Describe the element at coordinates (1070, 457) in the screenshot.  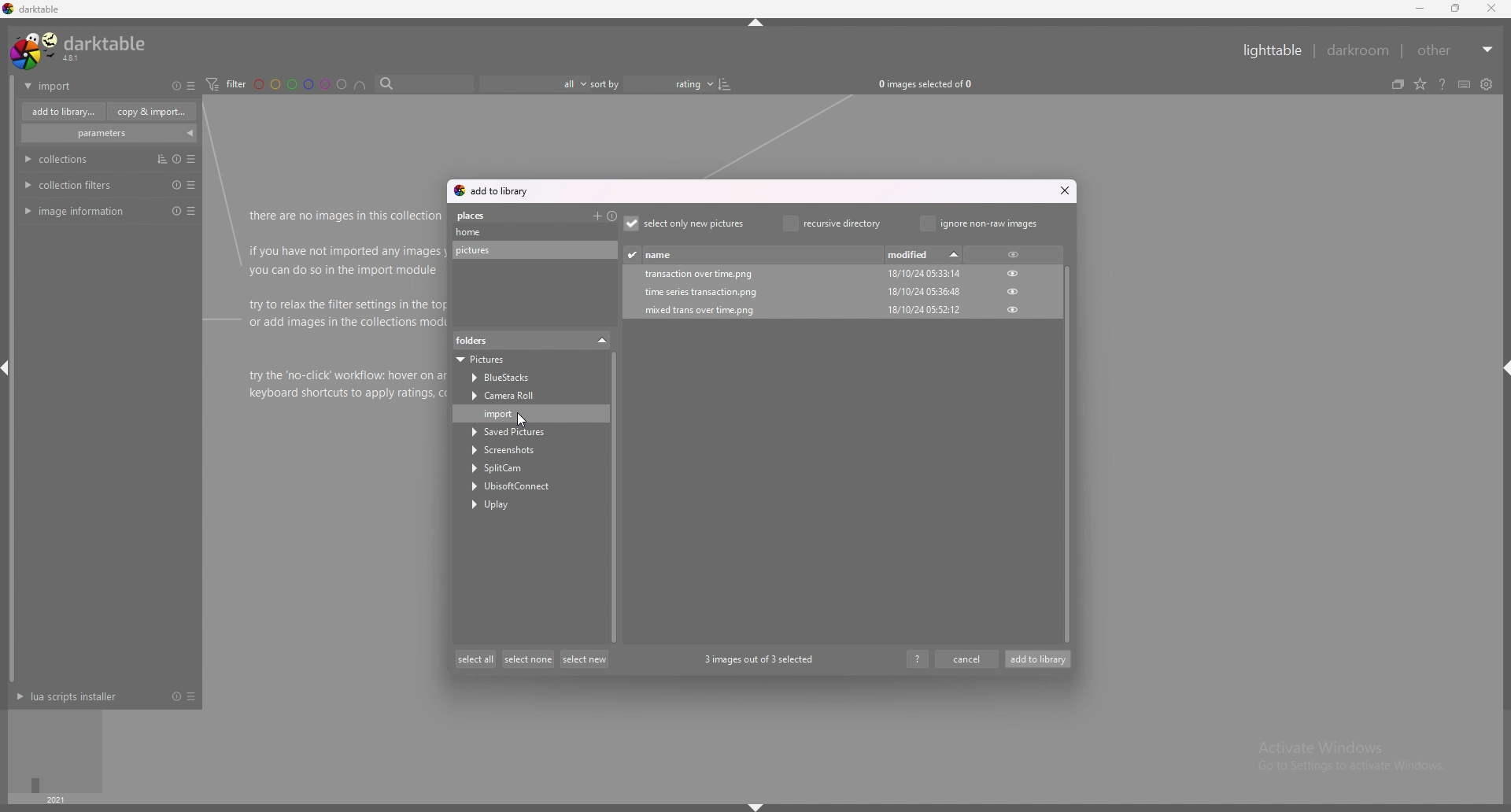
I see `scroll bar` at that location.